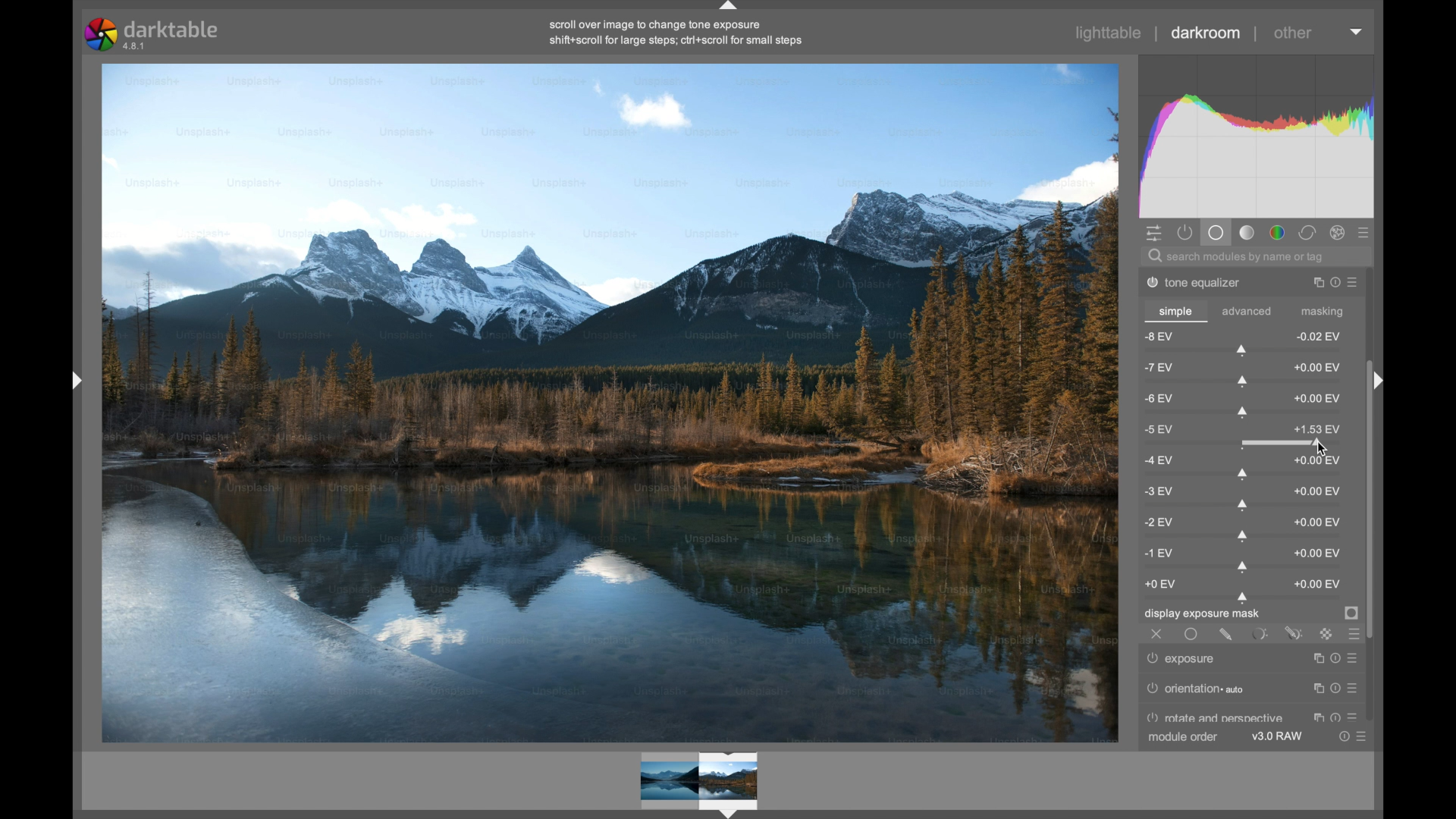  What do you see at coordinates (1158, 522) in the screenshot?
I see `-2 ev` at bounding box center [1158, 522].